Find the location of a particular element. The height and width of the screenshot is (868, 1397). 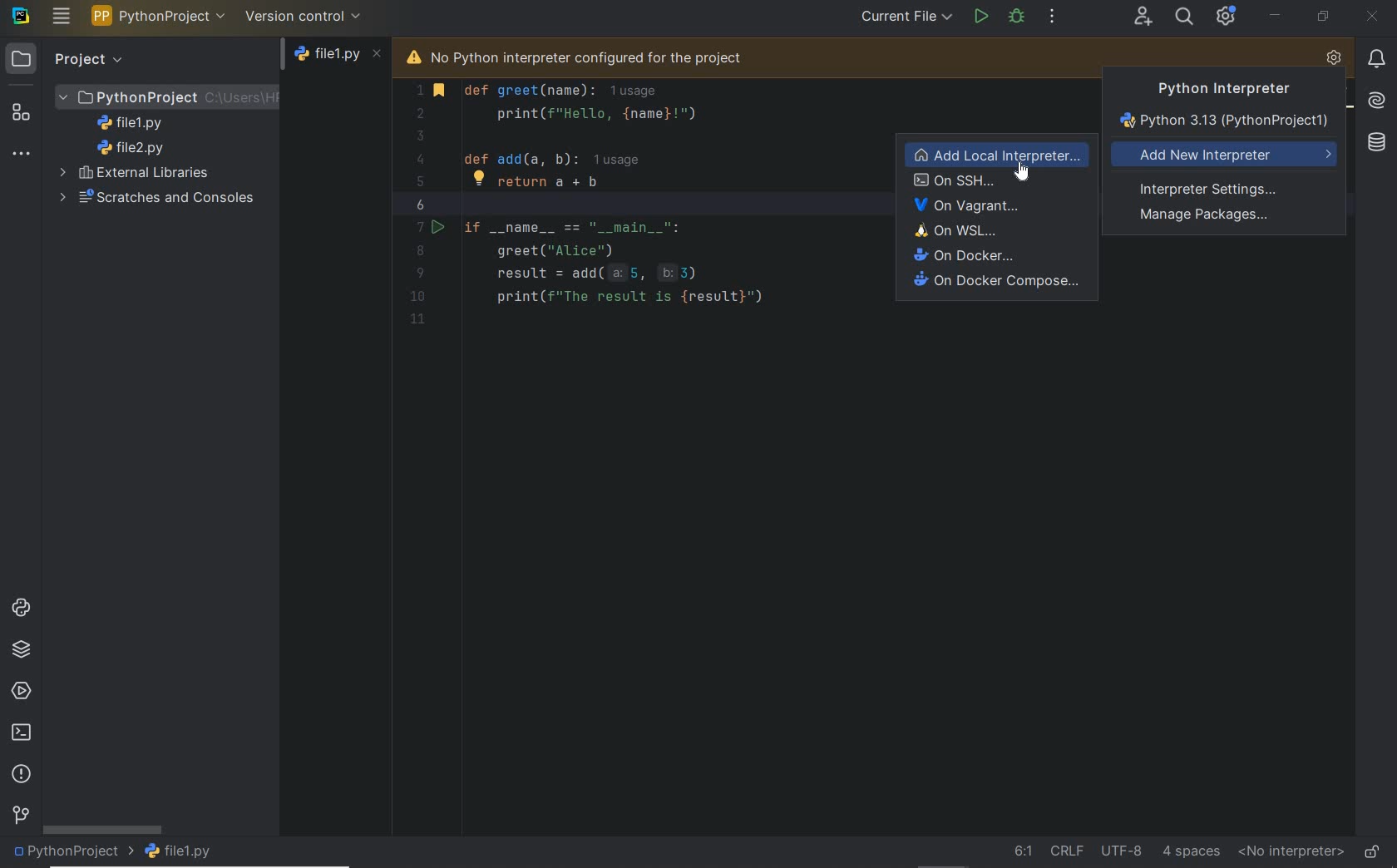

python consoles is located at coordinates (19, 607).